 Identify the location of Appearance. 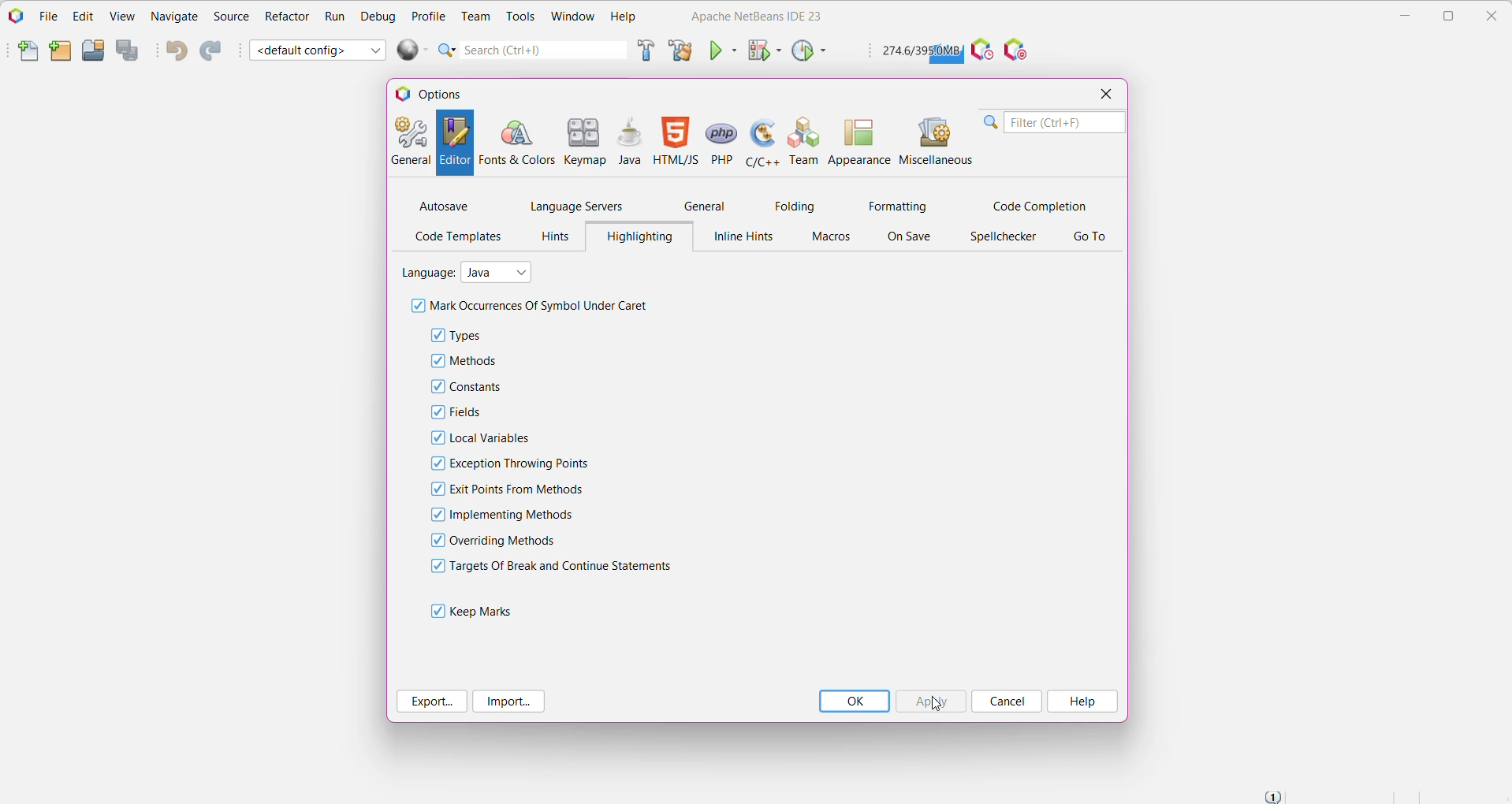
(860, 142).